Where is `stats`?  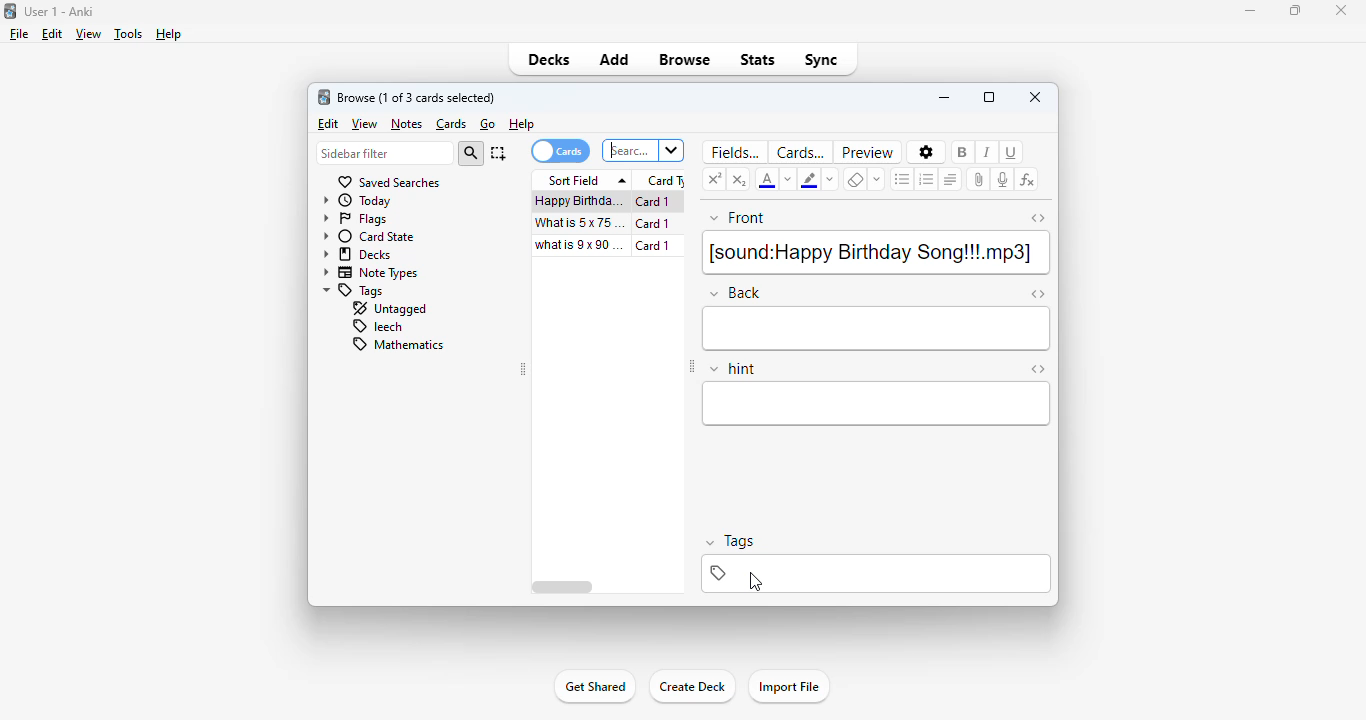
stats is located at coordinates (759, 60).